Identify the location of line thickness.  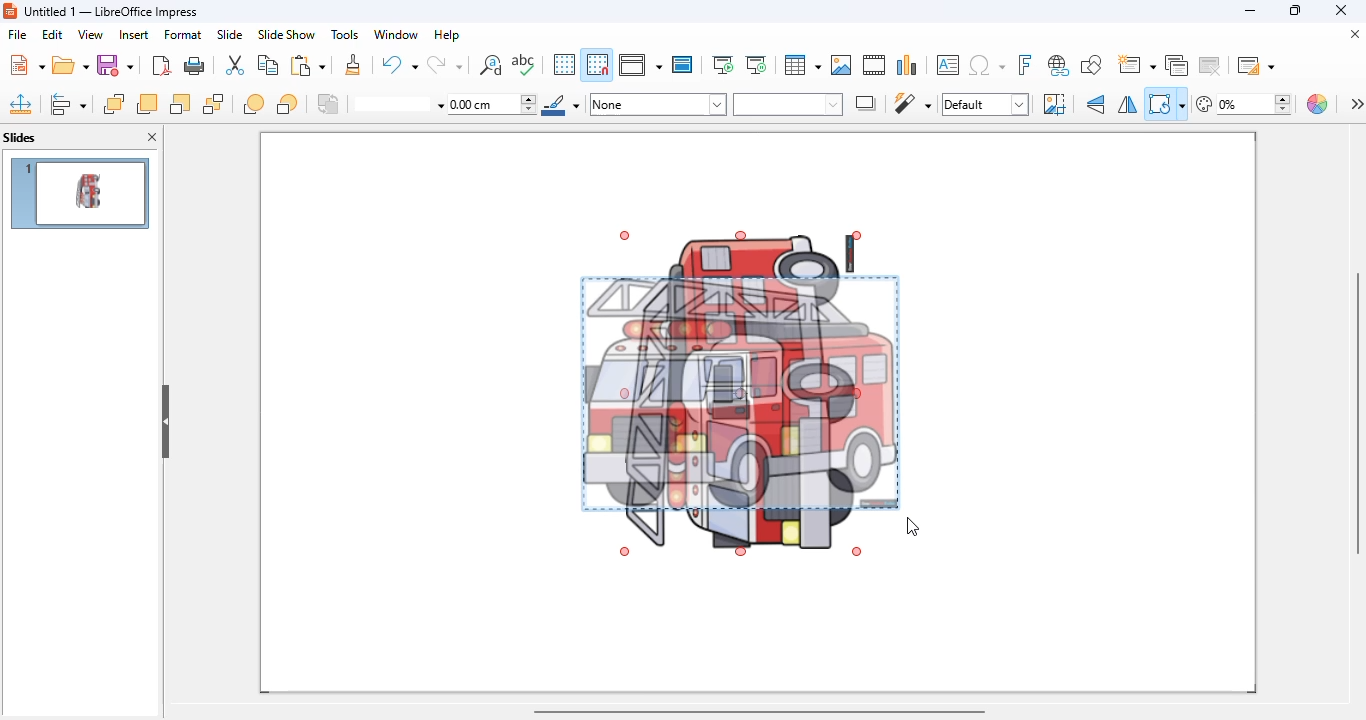
(493, 105).